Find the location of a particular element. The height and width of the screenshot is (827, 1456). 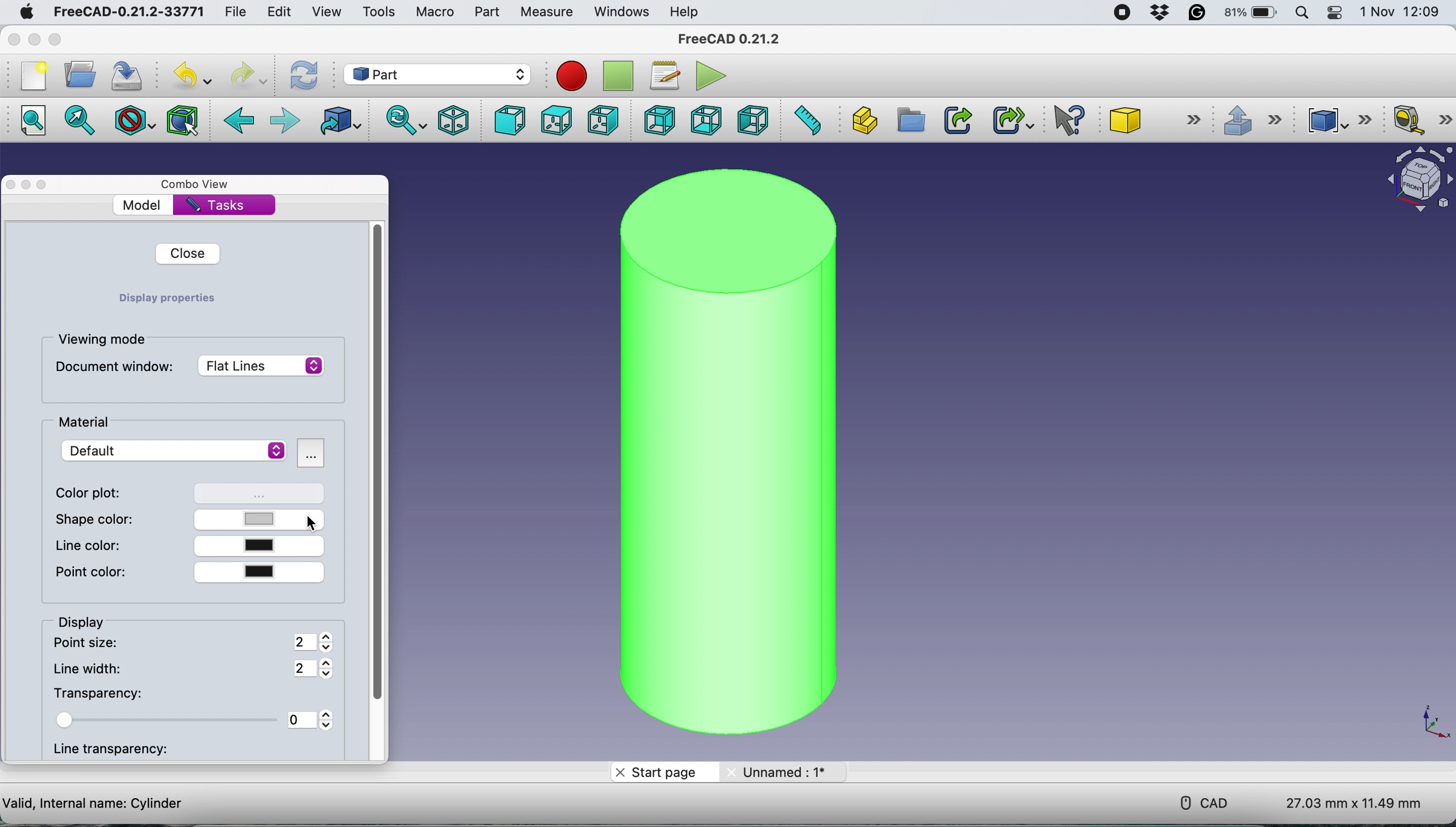

object interface is located at coordinates (1418, 179).